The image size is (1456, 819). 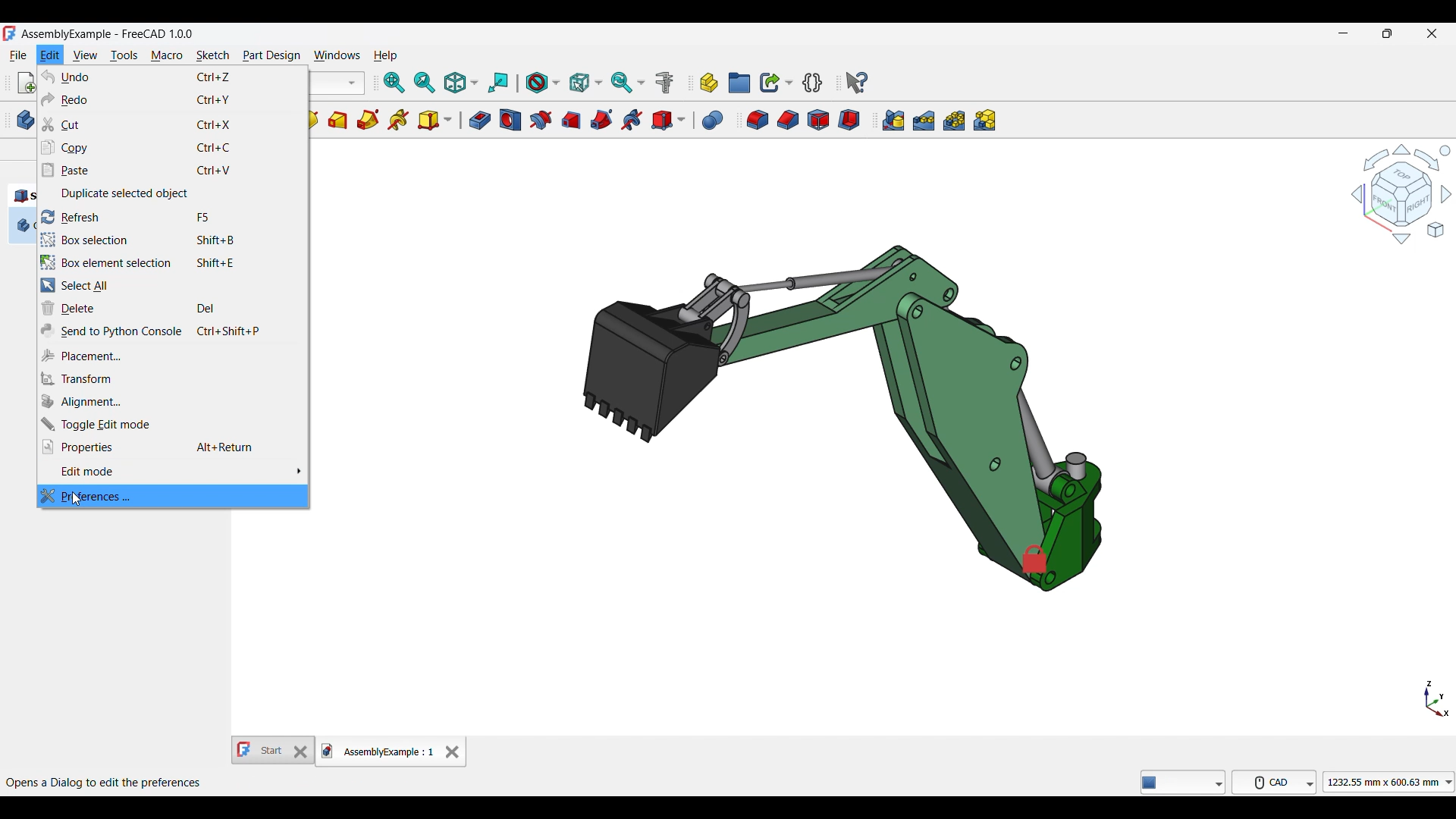 What do you see at coordinates (758, 121) in the screenshot?
I see `Fillet` at bounding box center [758, 121].